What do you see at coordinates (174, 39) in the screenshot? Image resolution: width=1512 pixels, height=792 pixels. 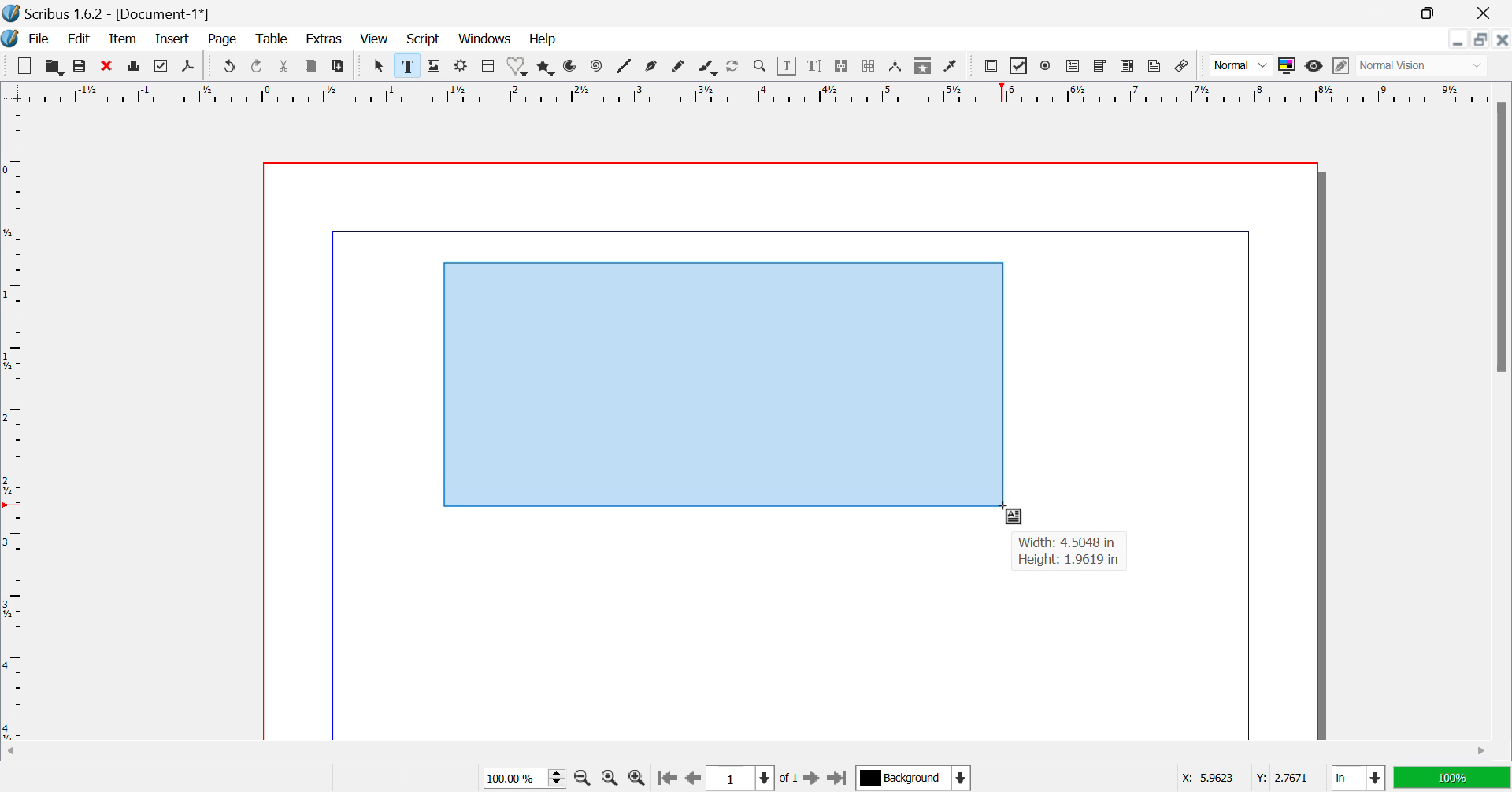 I see `Insert` at bounding box center [174, 39].